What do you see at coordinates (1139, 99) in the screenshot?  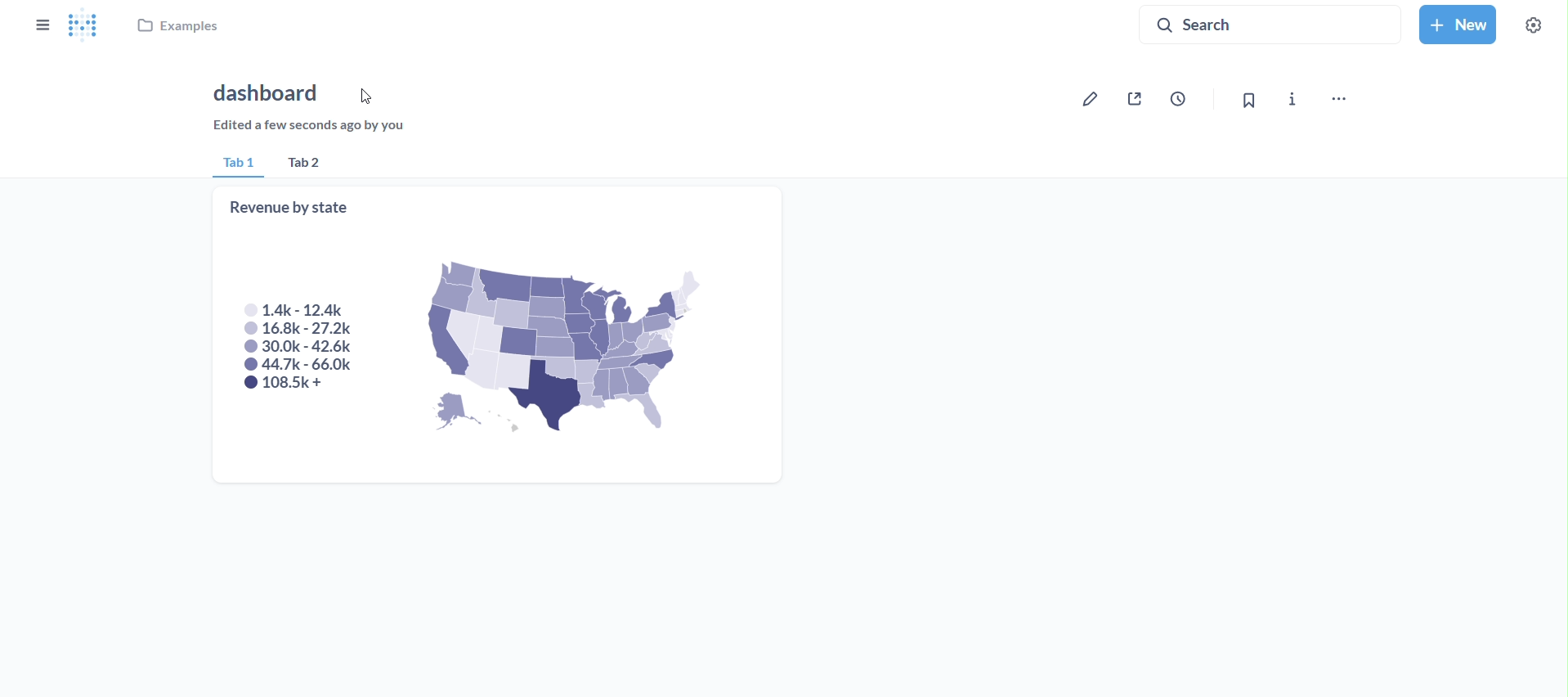 I see `sharing` at bounding box center [1139, 99].